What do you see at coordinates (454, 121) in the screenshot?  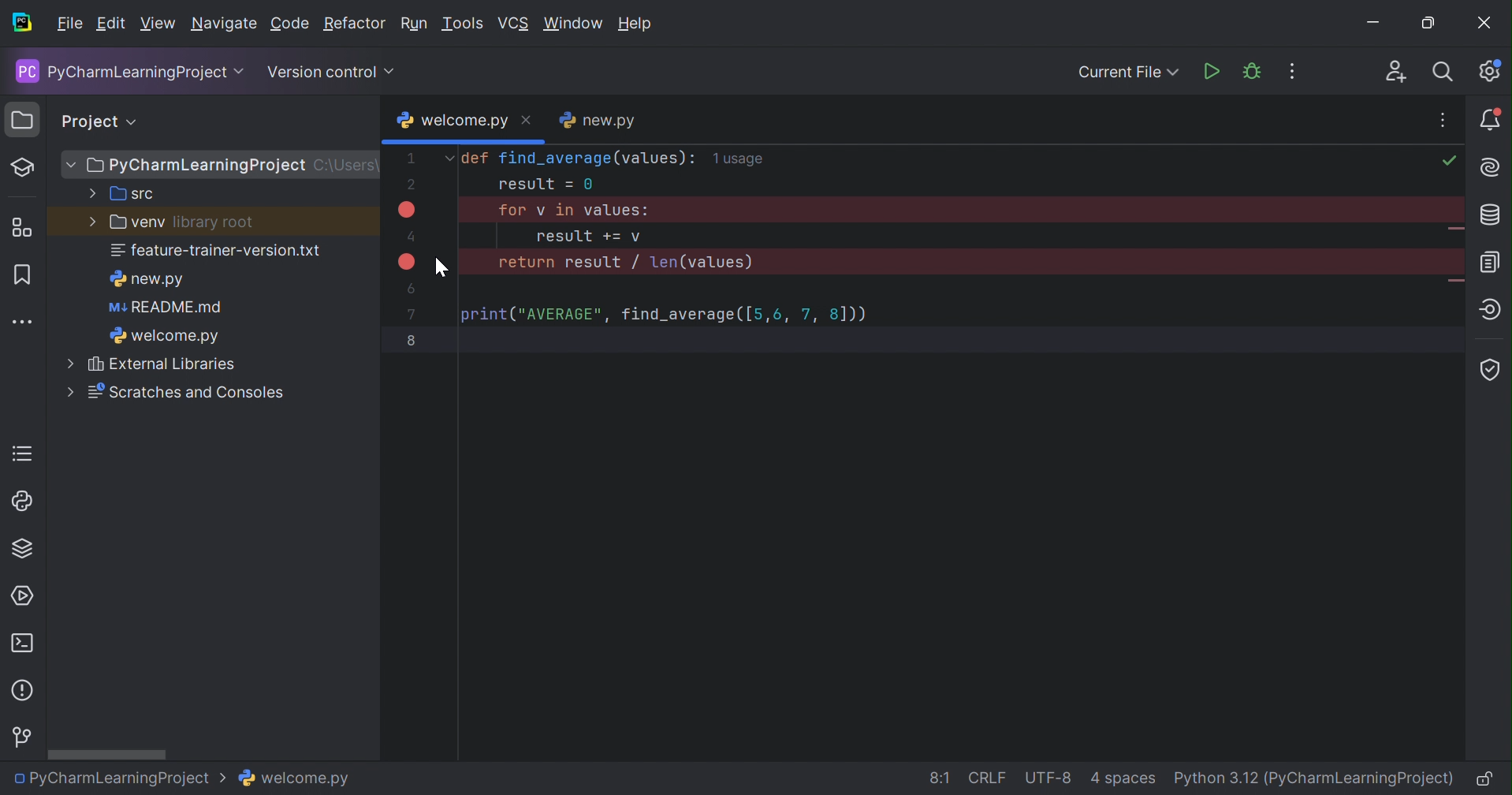 I see `welcome.py` at bounding box center [454, 121].